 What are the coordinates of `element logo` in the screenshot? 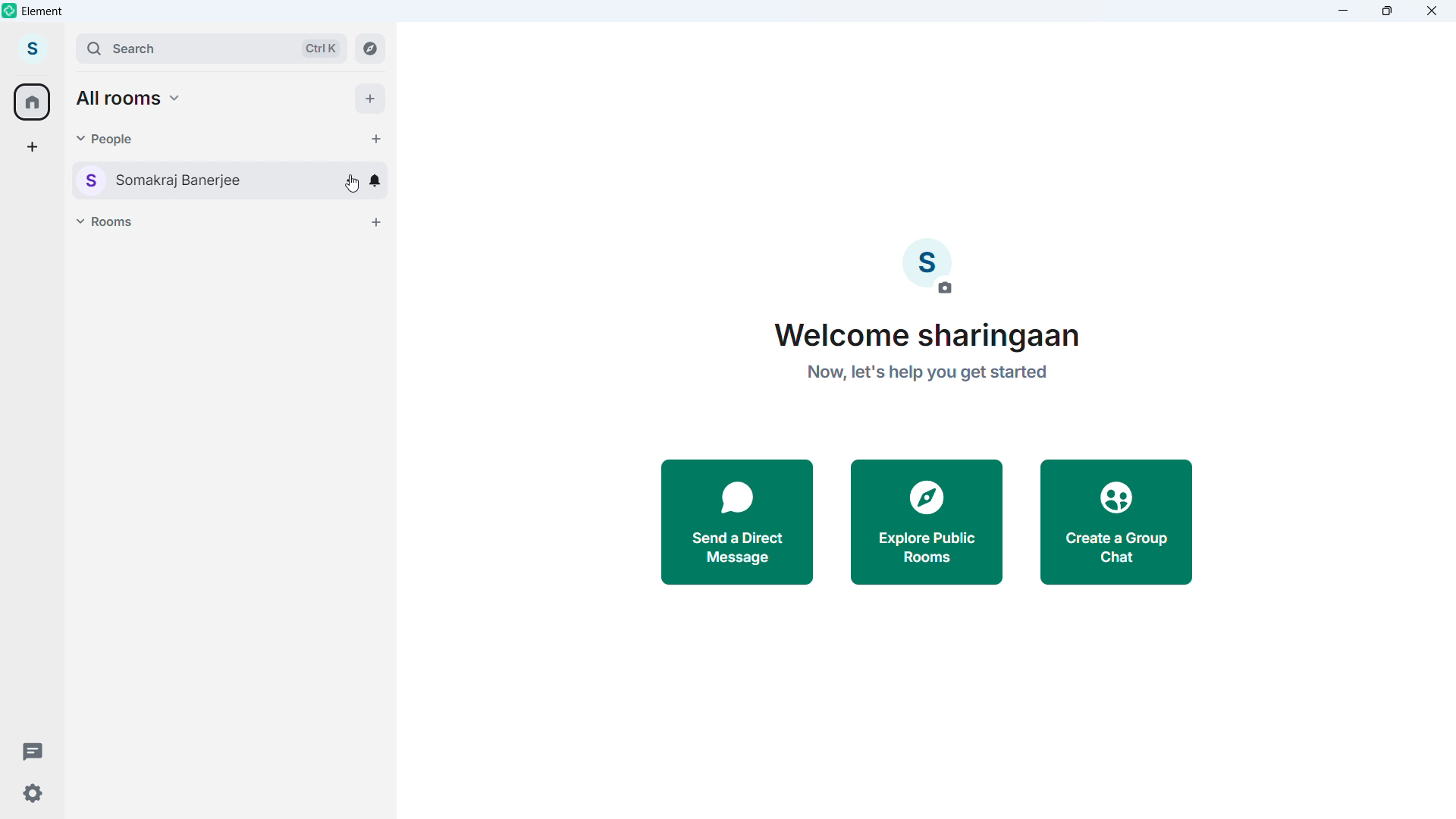 It's located at (10, 10).